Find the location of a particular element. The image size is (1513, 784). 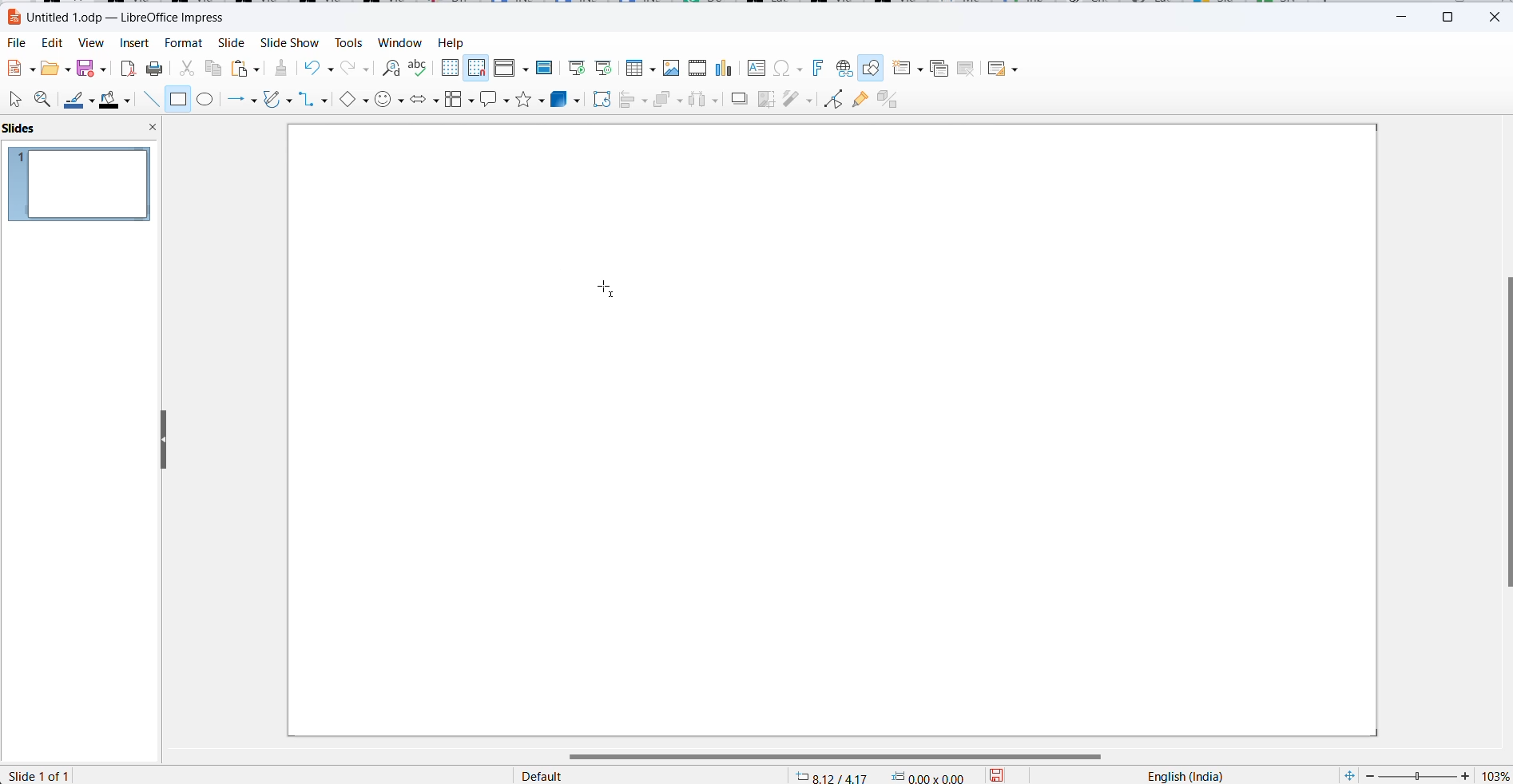

Display views is located at coordinates (510, 66).